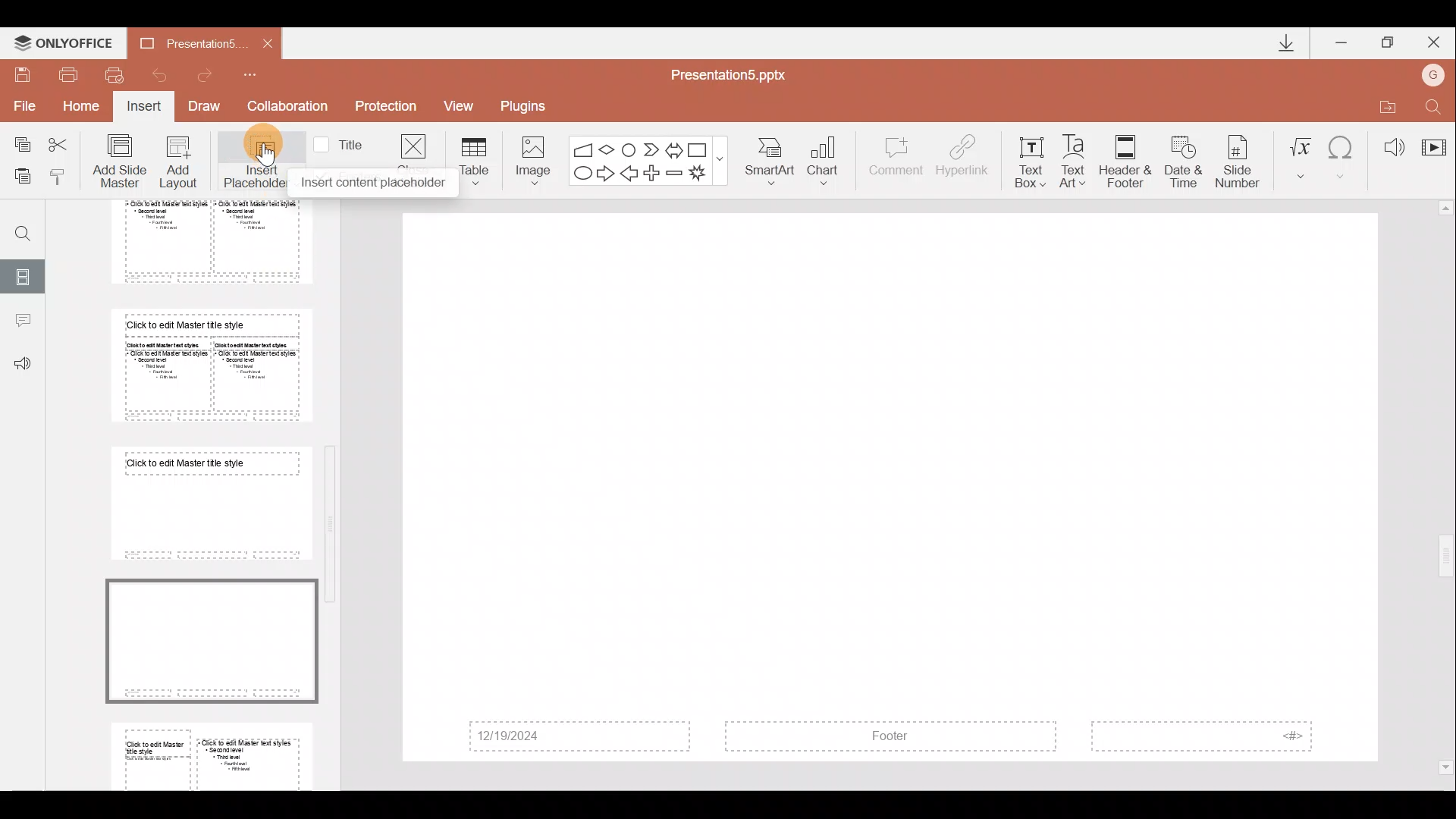 The height and width of the screenshot is (819, 1456). What do you see at coordinates (22, 105) in the screenshot?
I see `File` at bounding box center [22, 105].